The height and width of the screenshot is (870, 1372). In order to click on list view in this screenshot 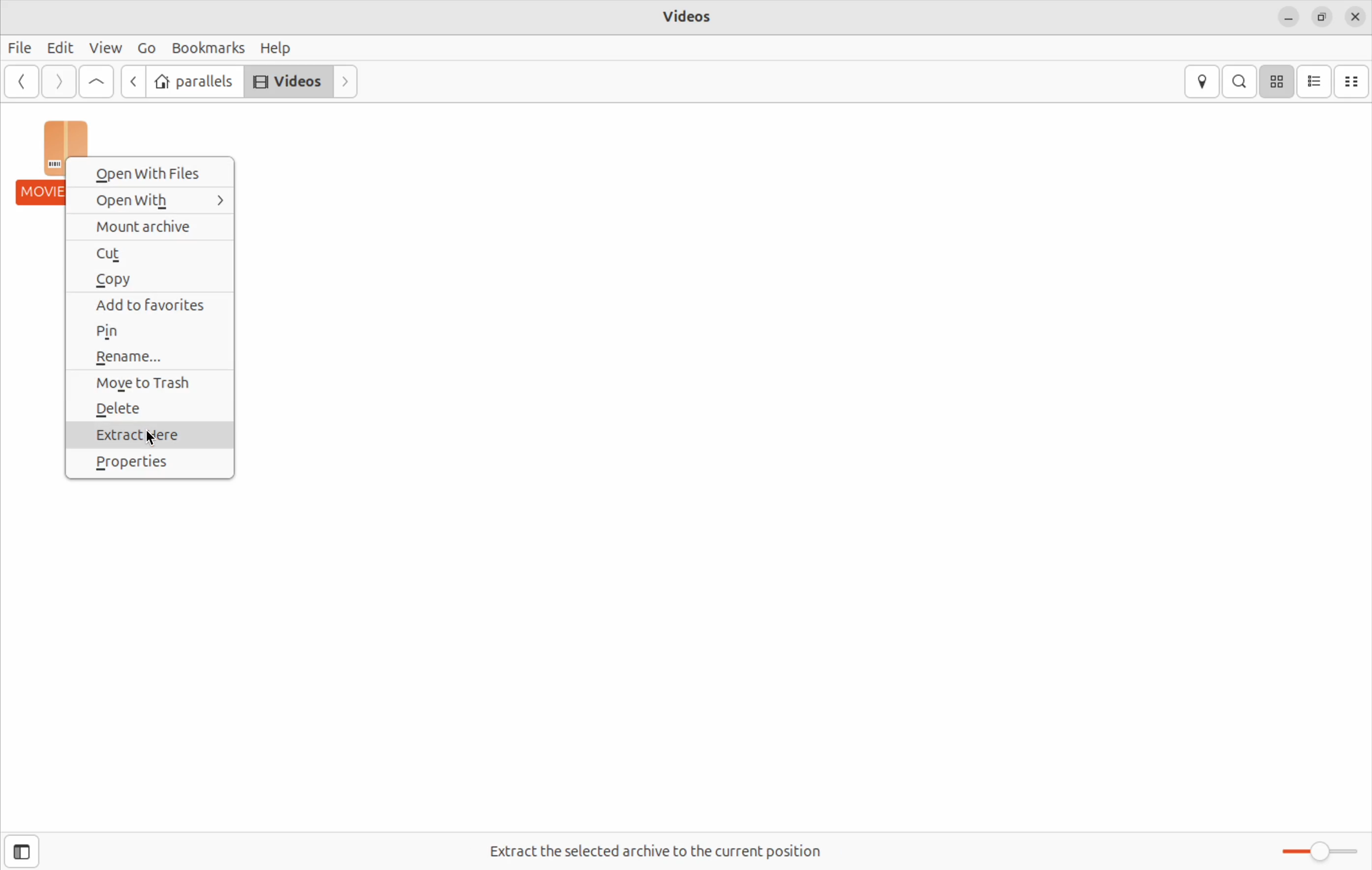, I will do `click(1314, 81)`.